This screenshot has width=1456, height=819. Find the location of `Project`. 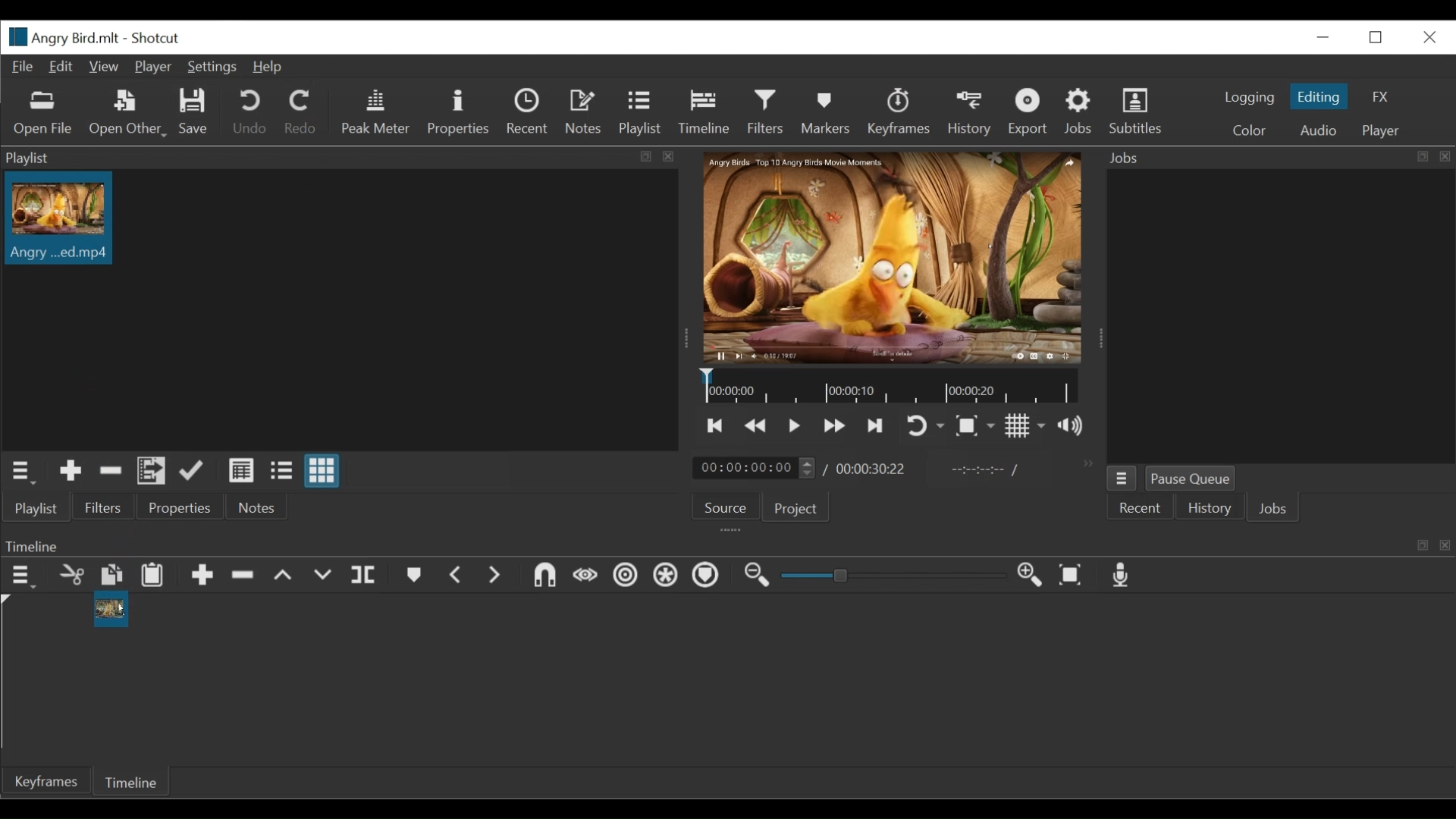

Project is located at coordinates (792, 507).